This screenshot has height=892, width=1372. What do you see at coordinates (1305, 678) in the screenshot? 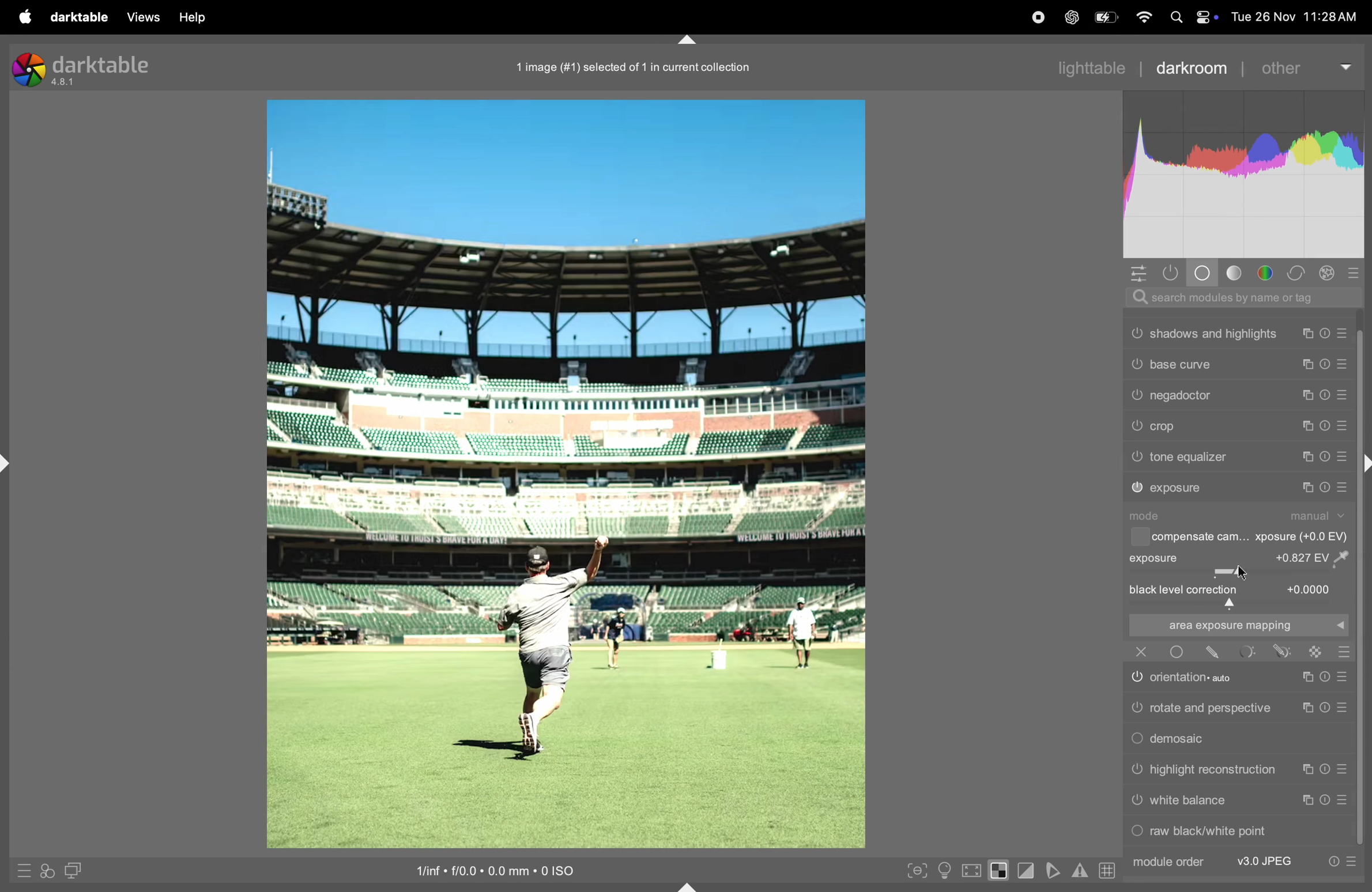
I see `copy` at bounding box center [1305, 678].